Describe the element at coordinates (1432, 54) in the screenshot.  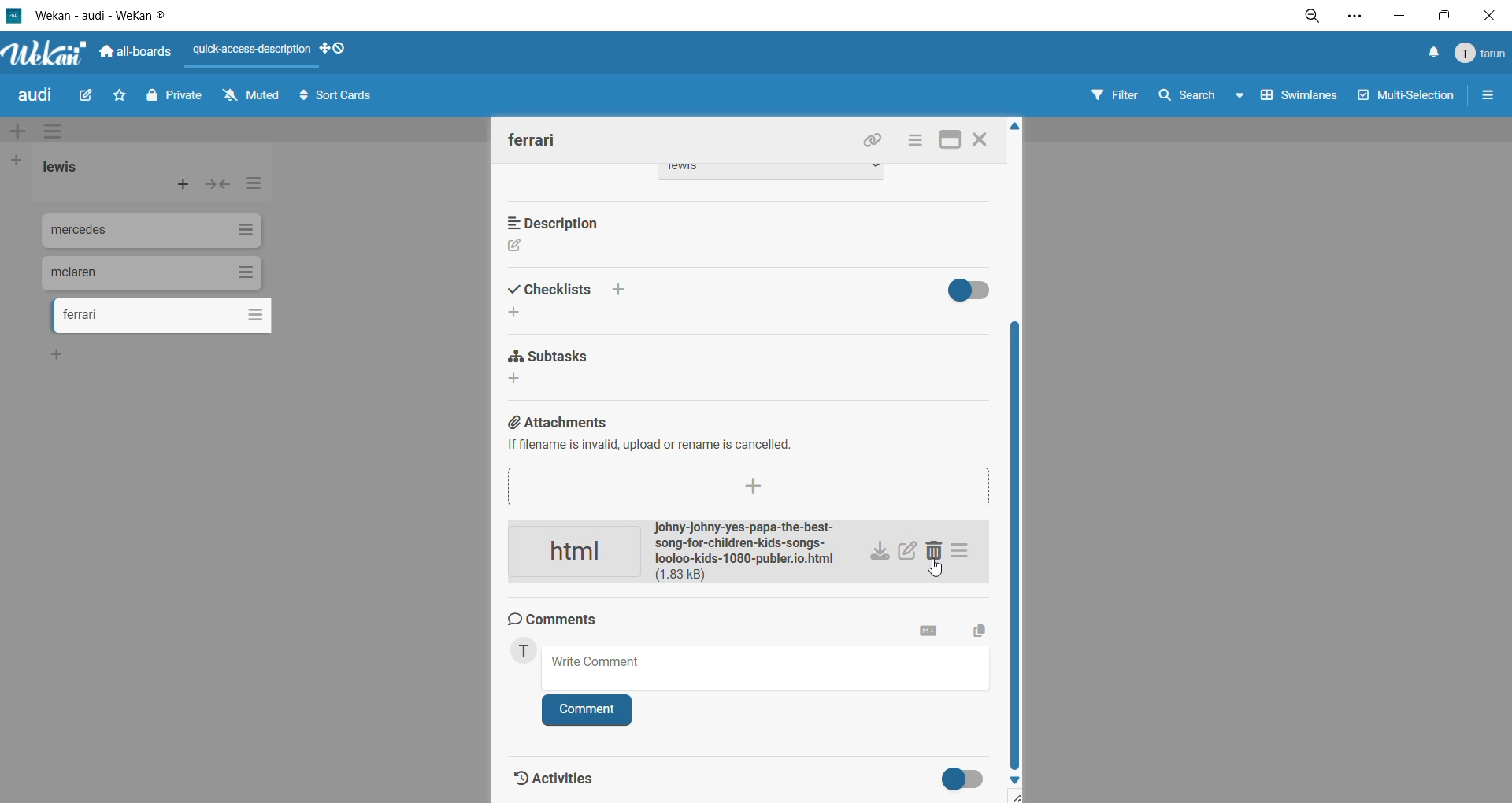
I see `notifications` at that location.